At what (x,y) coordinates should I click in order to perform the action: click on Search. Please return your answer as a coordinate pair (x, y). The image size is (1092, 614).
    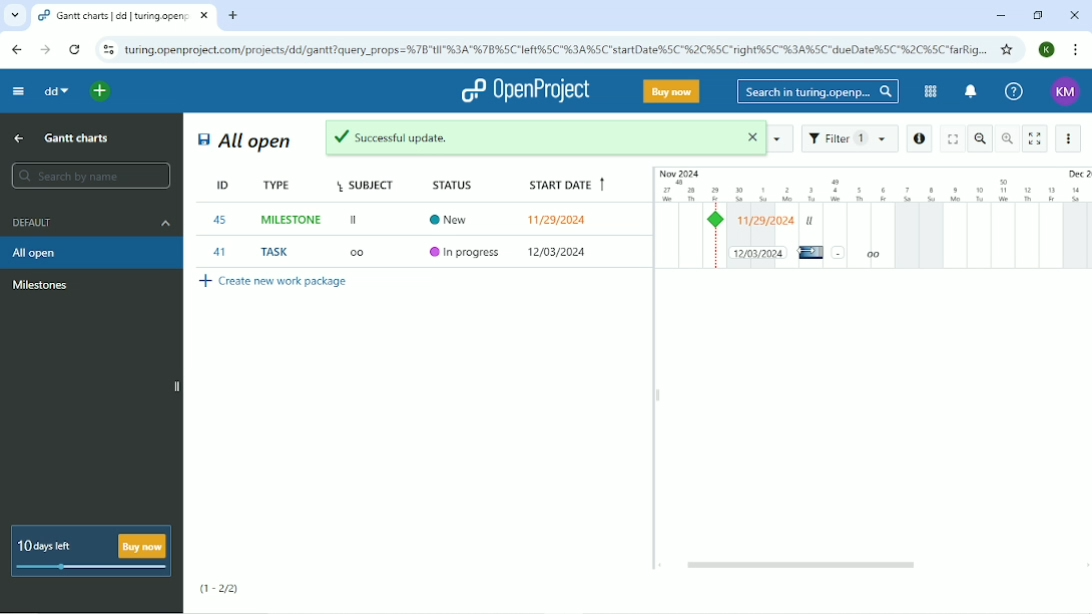
    Looking at the image, I should click on (817, 92).